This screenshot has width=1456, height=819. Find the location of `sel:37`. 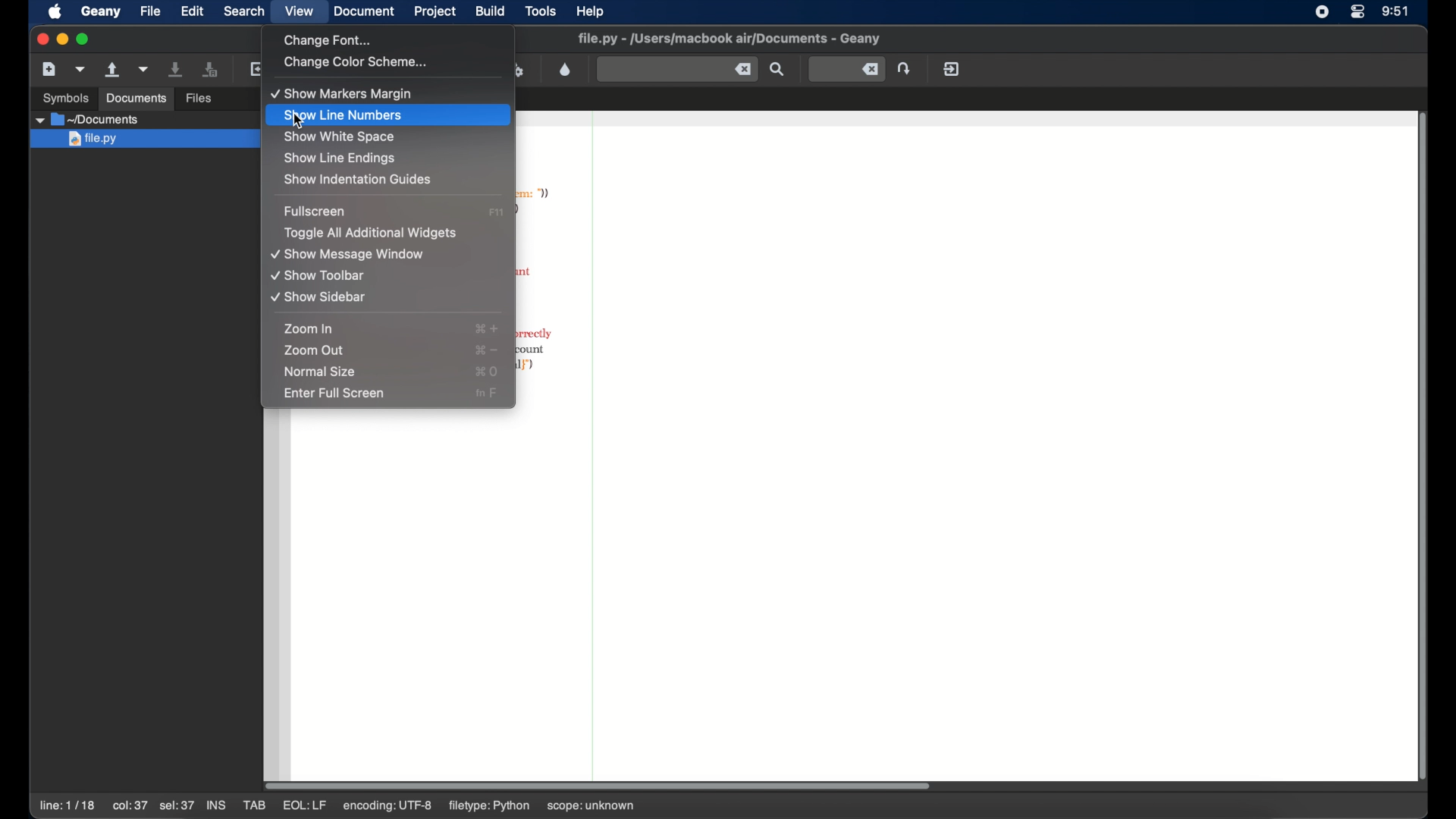

sel:37 is located at coordinates (177, 806).